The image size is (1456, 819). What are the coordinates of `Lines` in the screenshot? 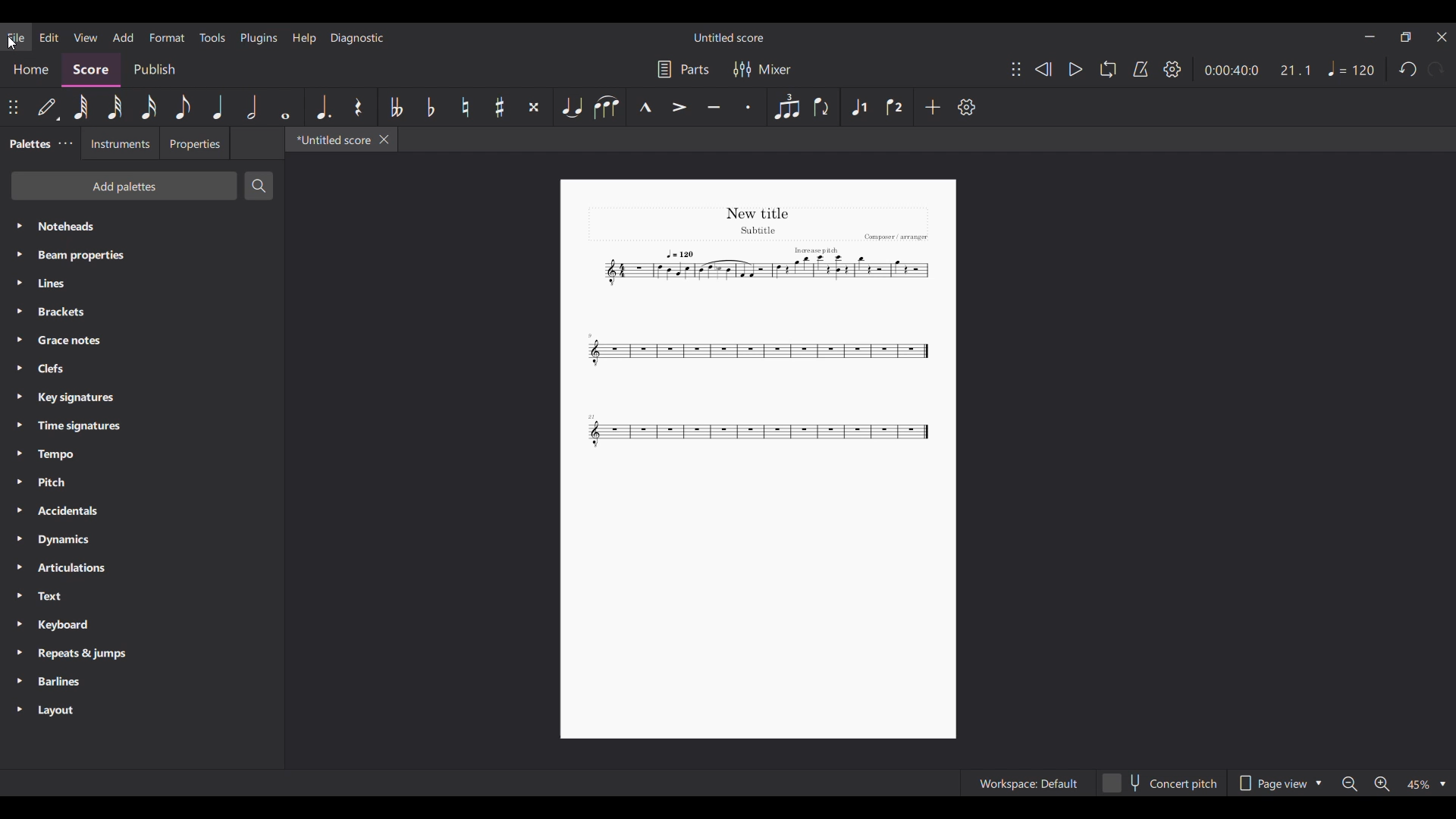 It's located at (142, 284).